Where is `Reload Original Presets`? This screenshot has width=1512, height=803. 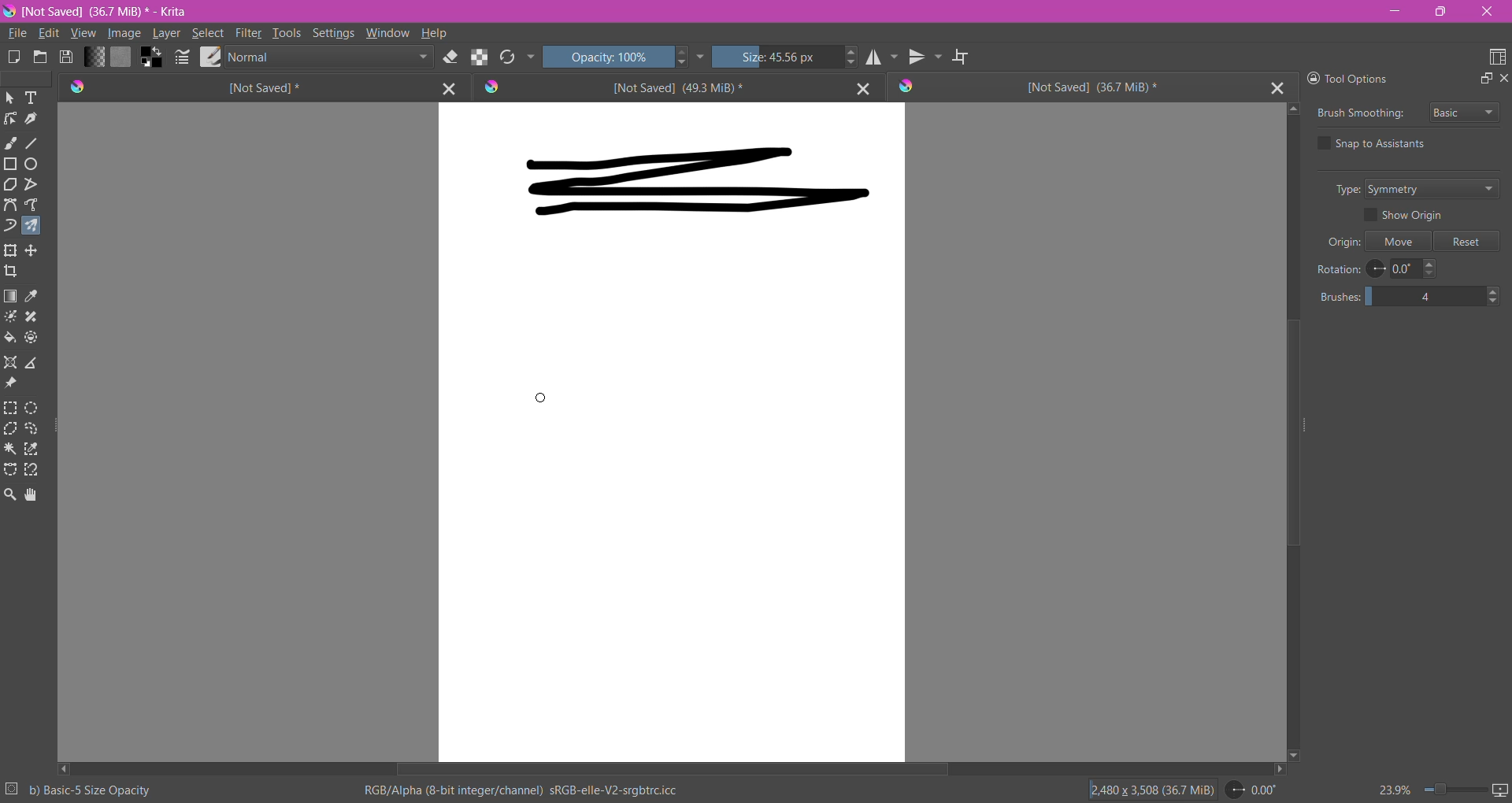
Reload Original Presets is located at coordinates (506, 57).